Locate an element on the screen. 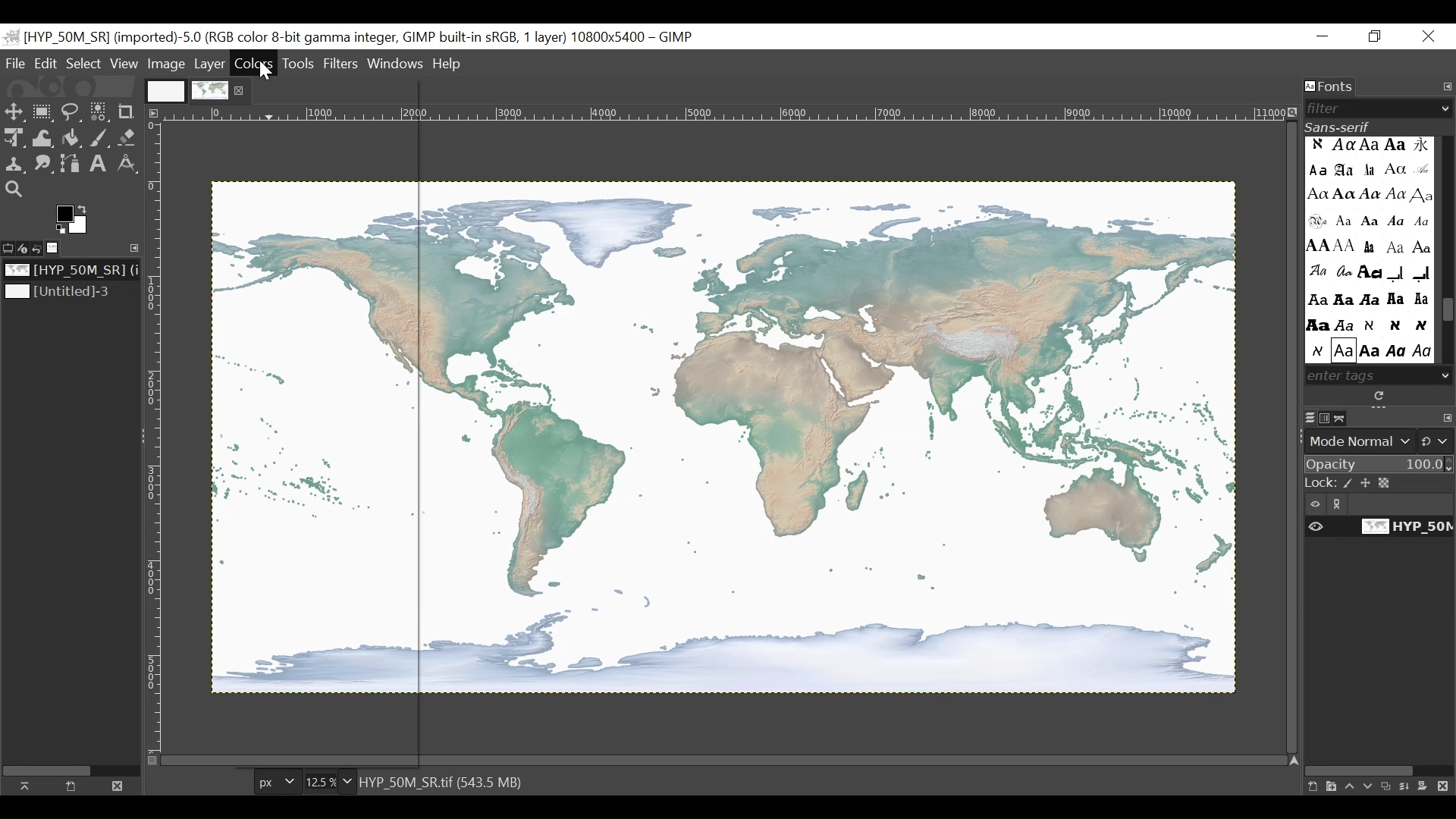 The width and height of the screenshot is (1456, 819). Horizontal Ruler is located at coordinates (725, 115).